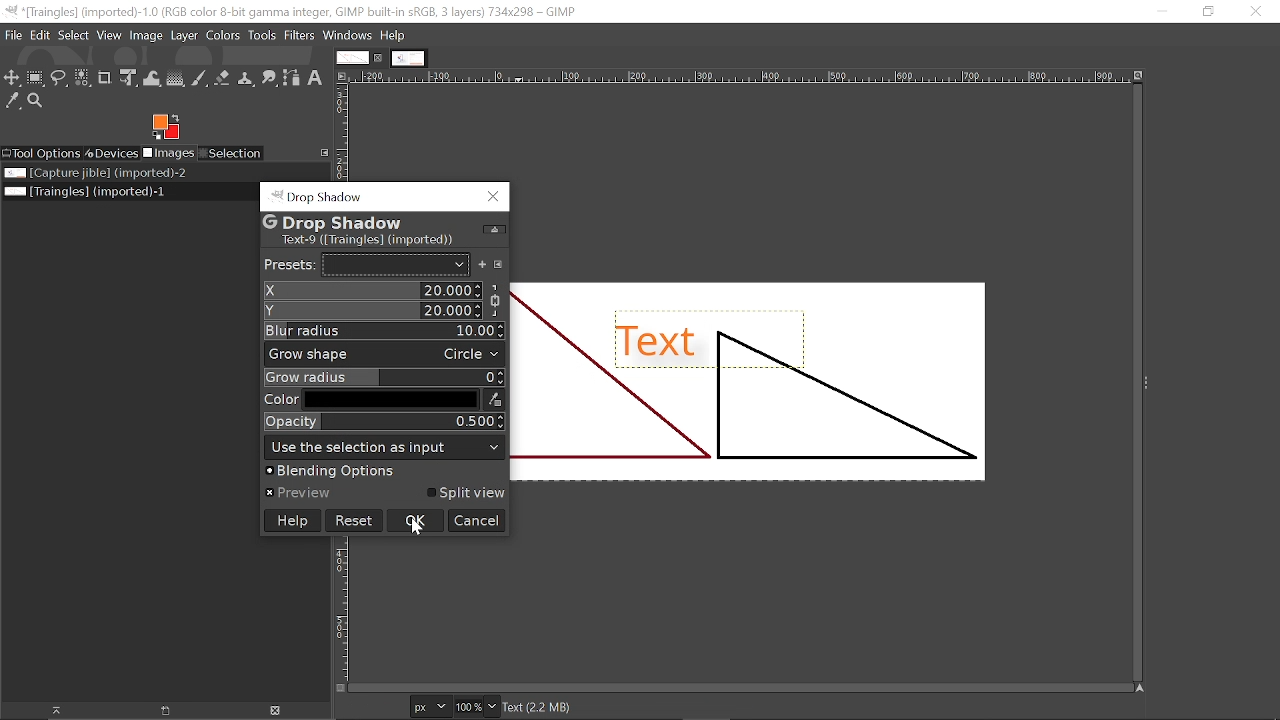  Describe the element at coordinates (1210, 12) in the screenshot. I see `Restore down` at that location.